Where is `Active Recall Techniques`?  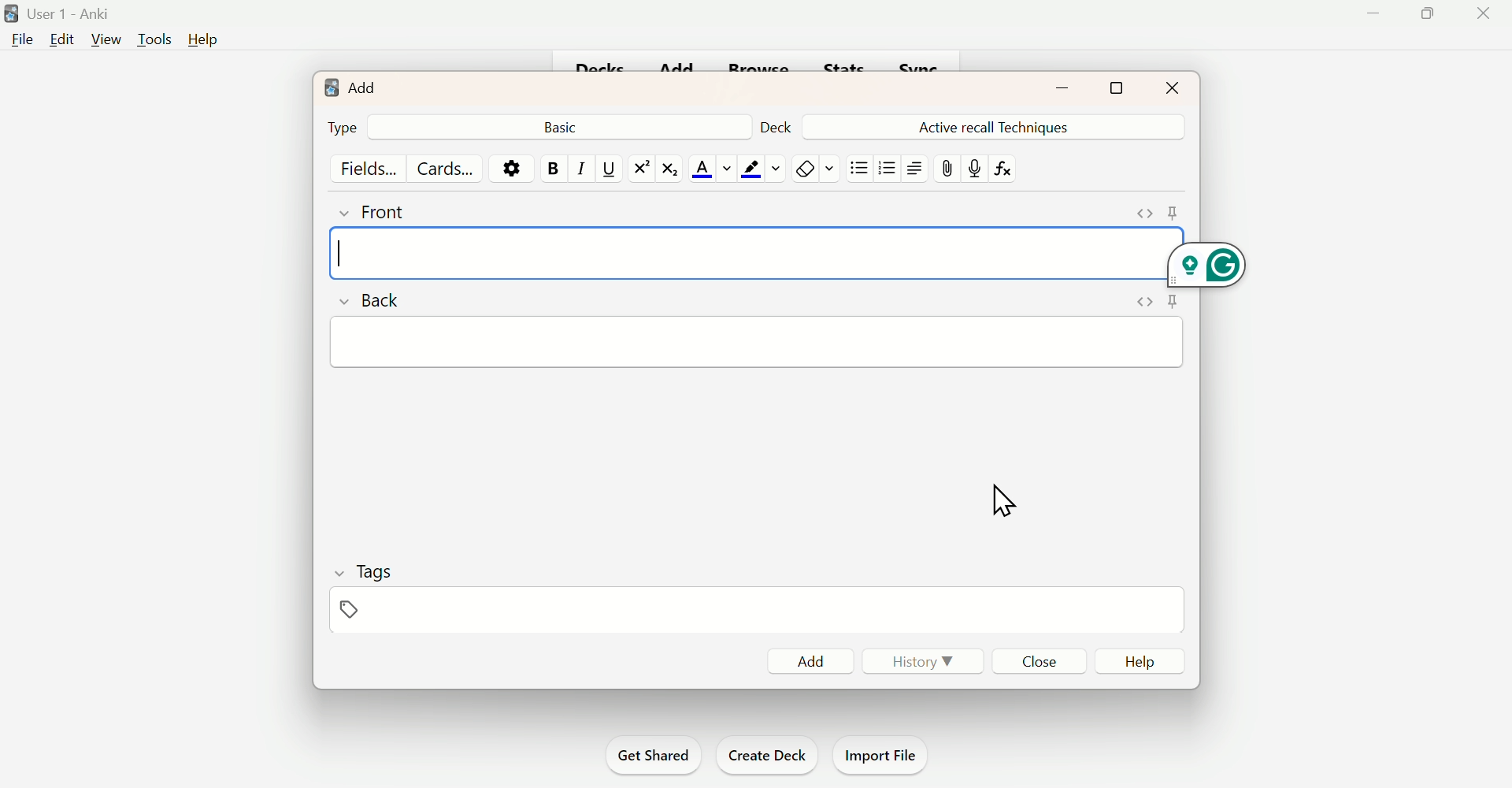 Active Recall Techniques is located at coordinates (998, 125).